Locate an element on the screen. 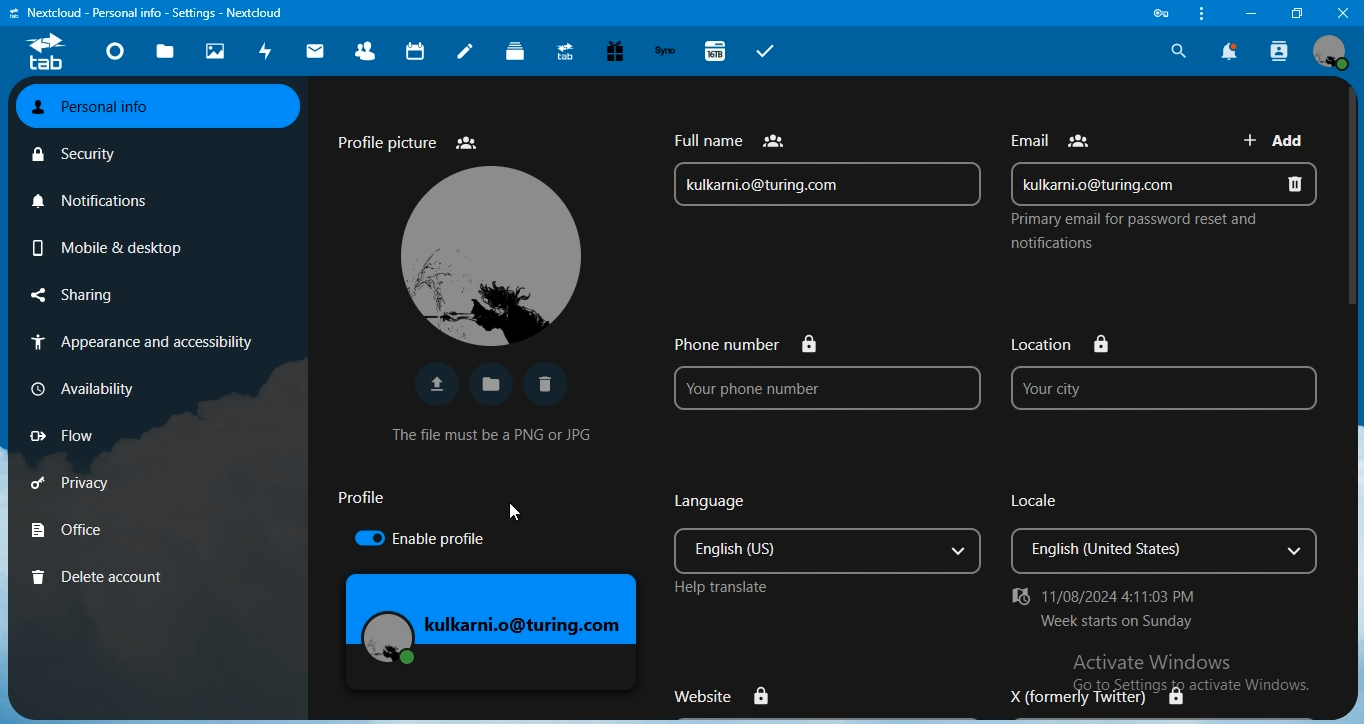 The height and width of the screenshot is (724, 1364). mail is located at coordinates (315, 54).